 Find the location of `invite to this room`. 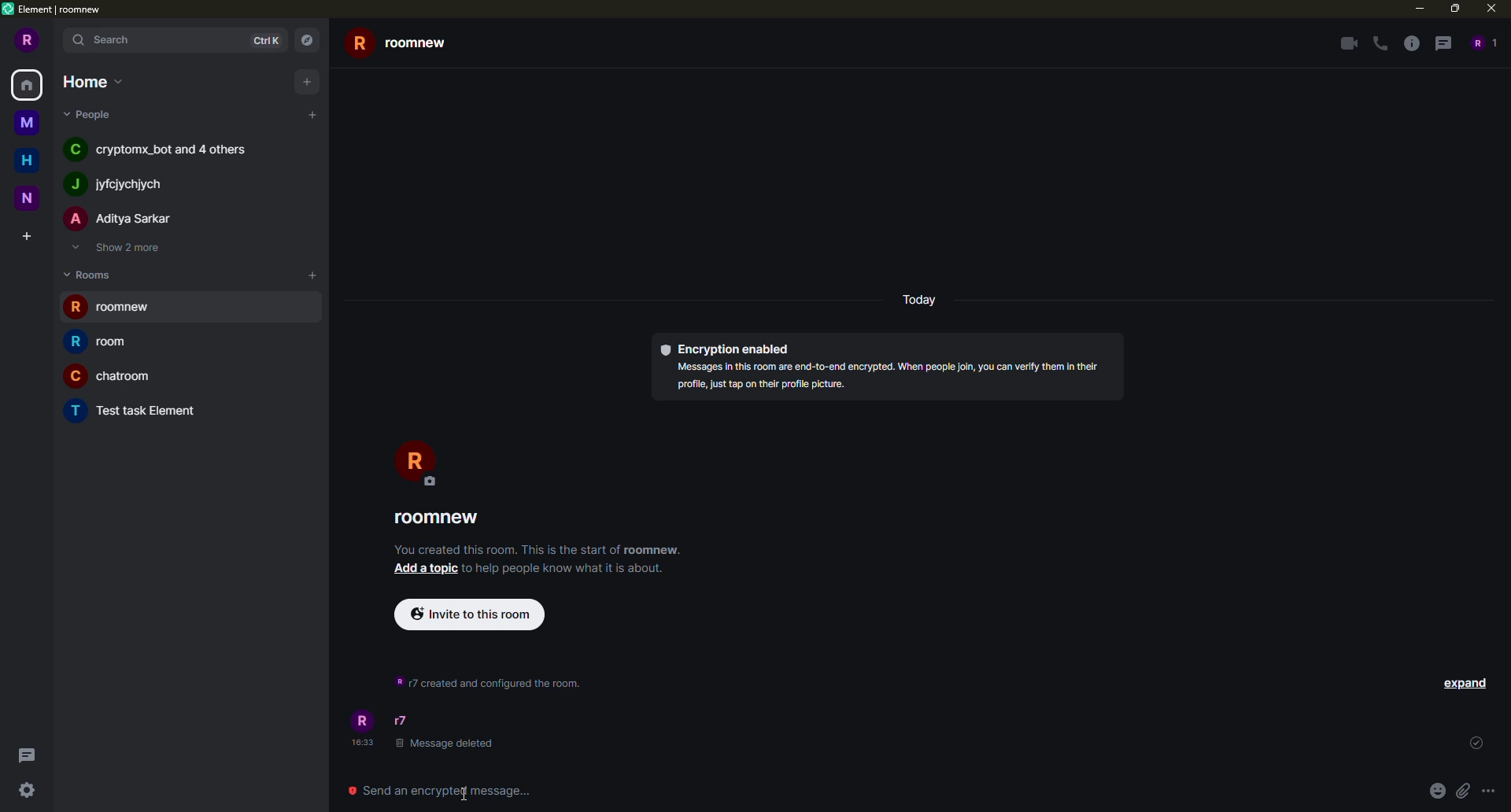

invite to this room is located at coordinates (468, 613).